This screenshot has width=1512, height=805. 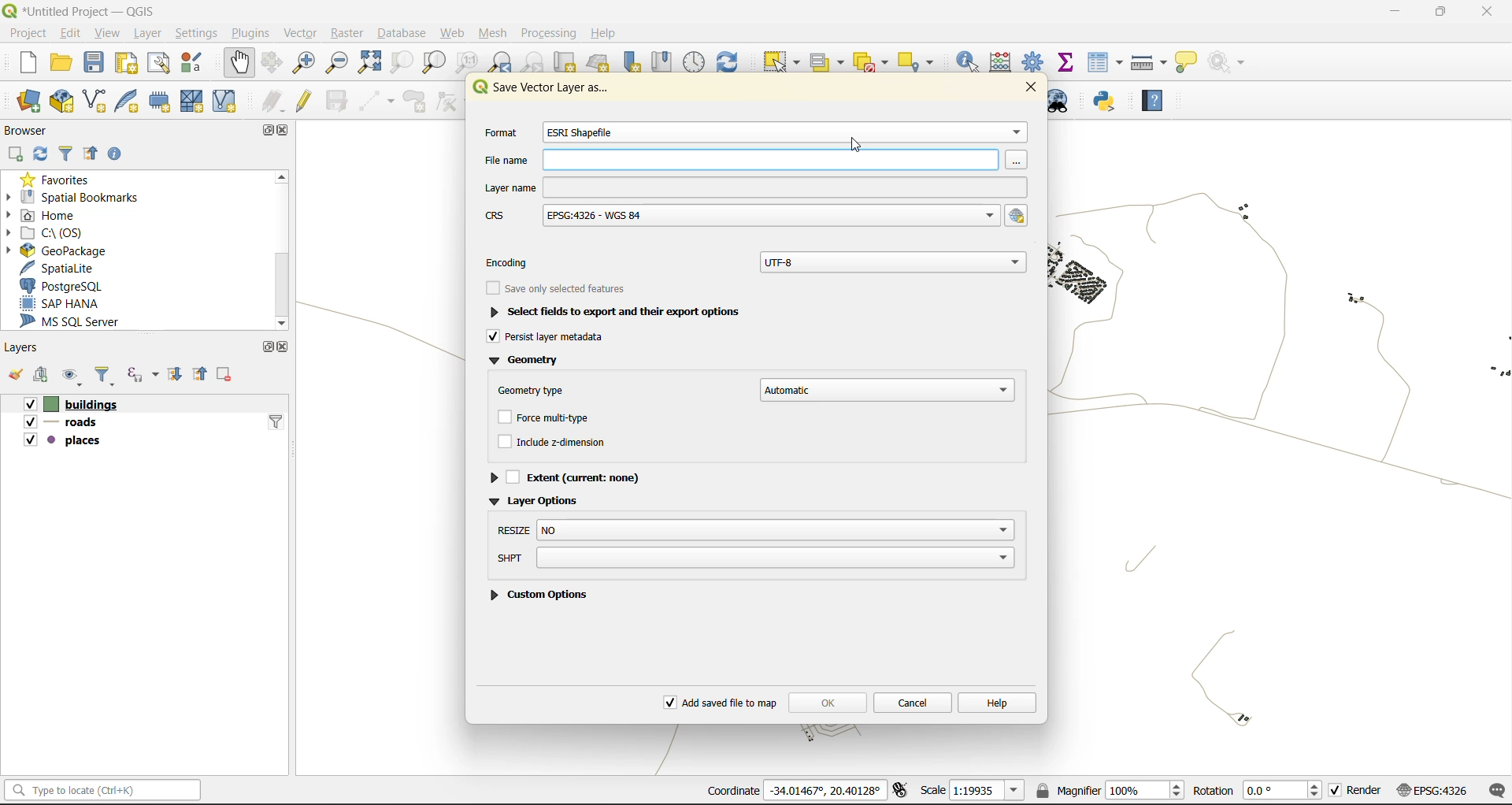 I want to click on save edits, so click(x=336, y=99).